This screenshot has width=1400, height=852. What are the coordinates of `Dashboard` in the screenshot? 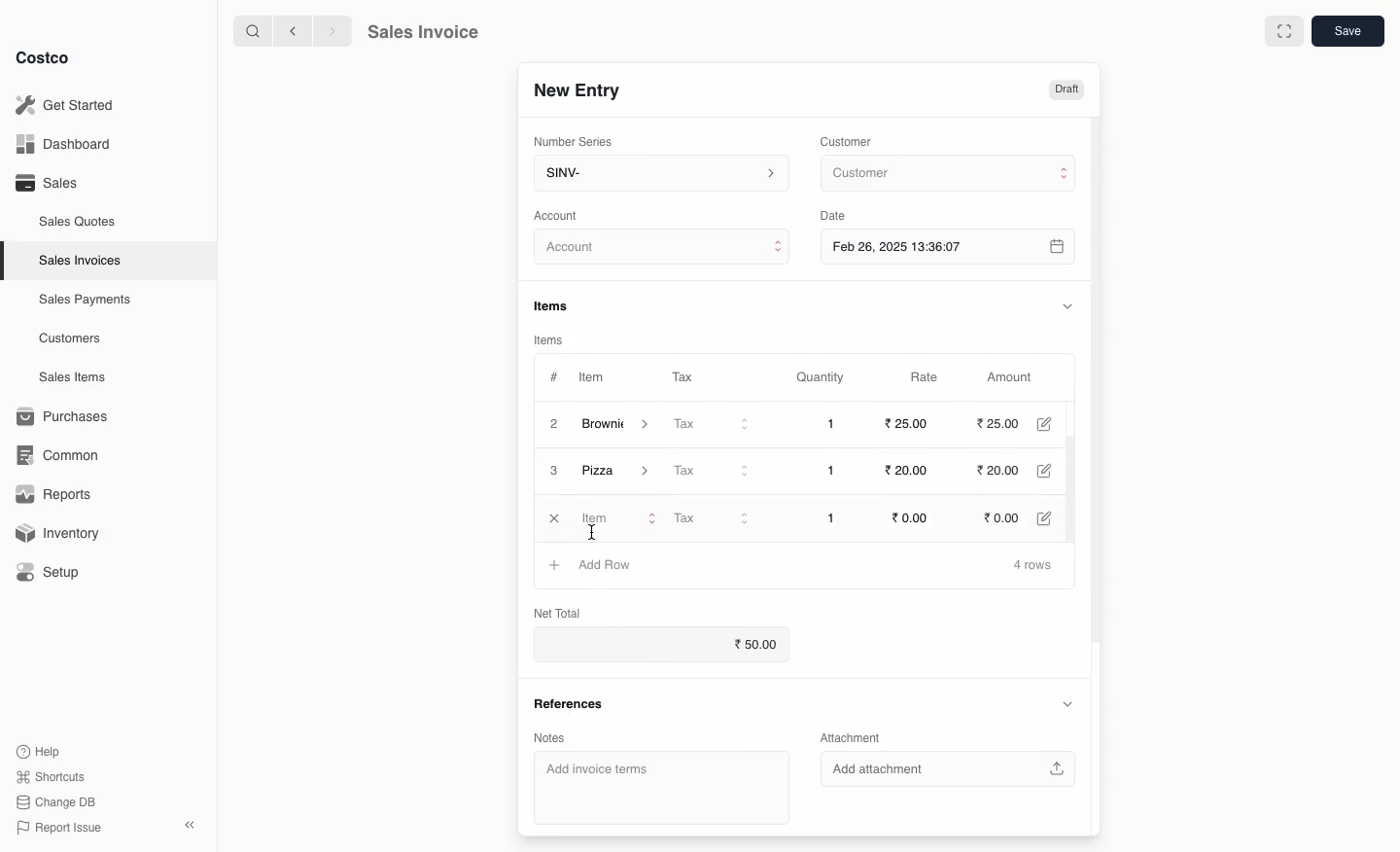 It's located at (60, 145).